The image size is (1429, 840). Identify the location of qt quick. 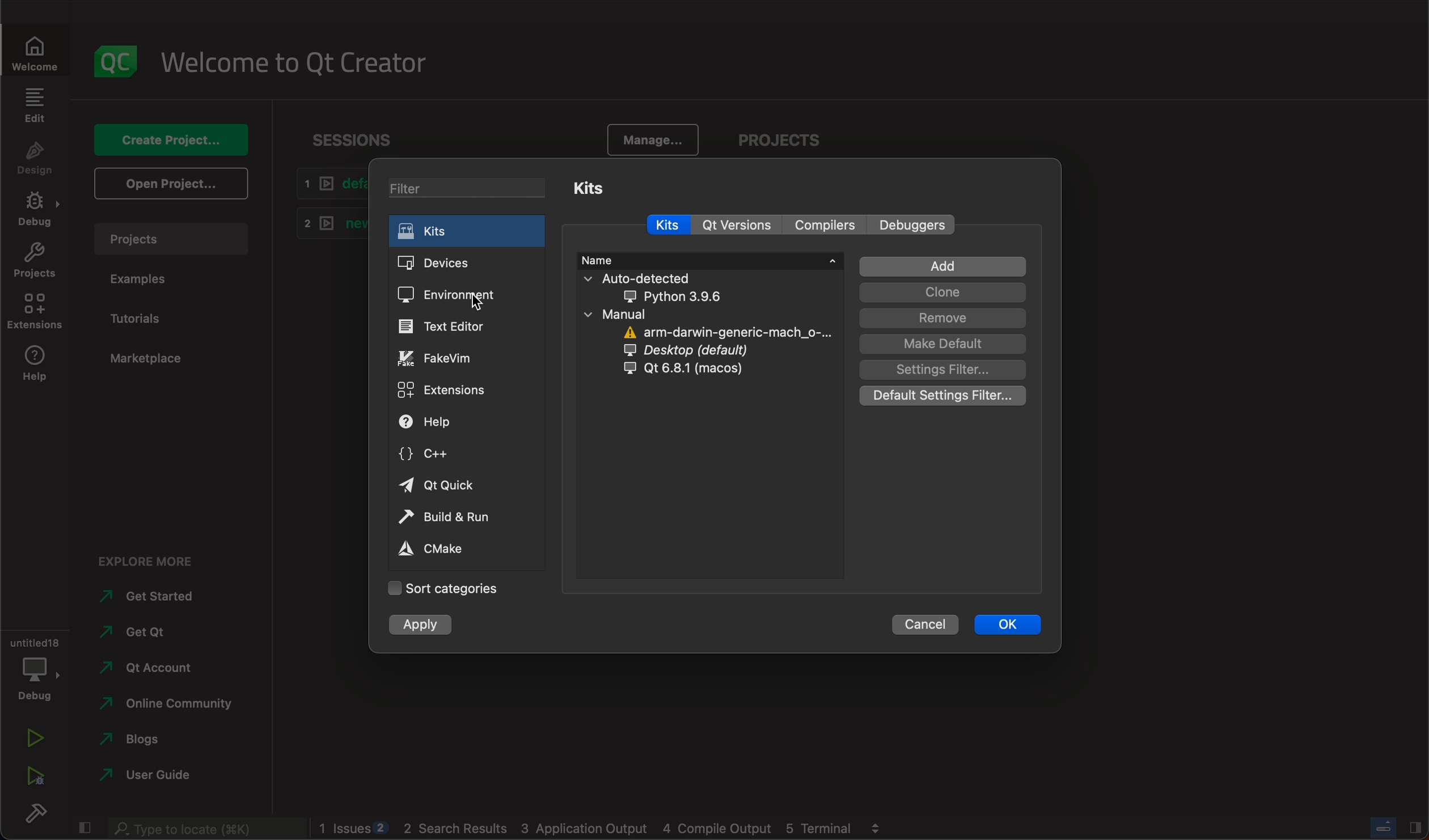
(441, 487).